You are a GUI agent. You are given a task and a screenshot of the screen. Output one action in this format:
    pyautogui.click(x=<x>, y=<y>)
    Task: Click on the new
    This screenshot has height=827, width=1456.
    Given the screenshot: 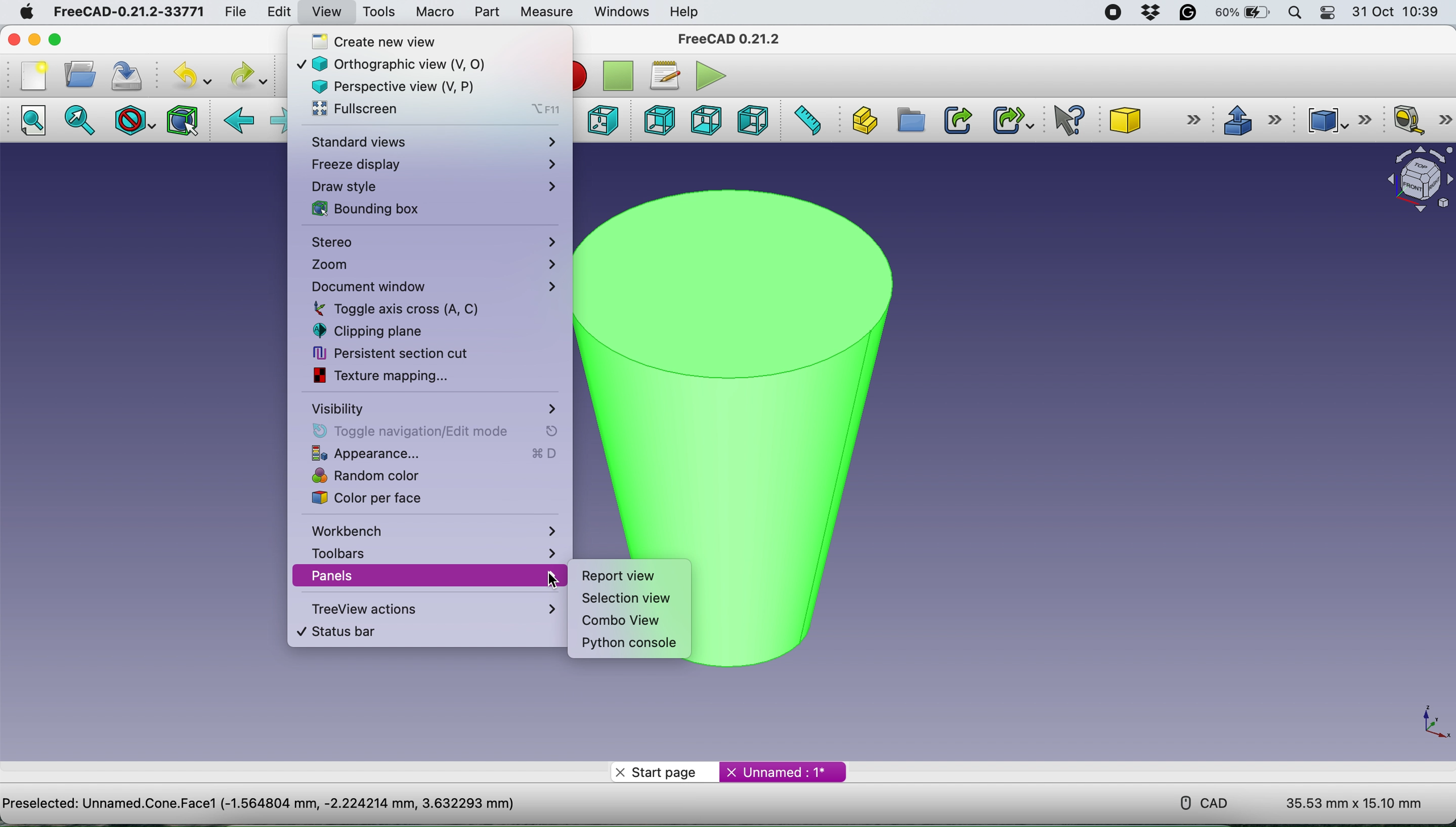 What is the action you would take?
    pyautogui.click(x=30, y=75)
    